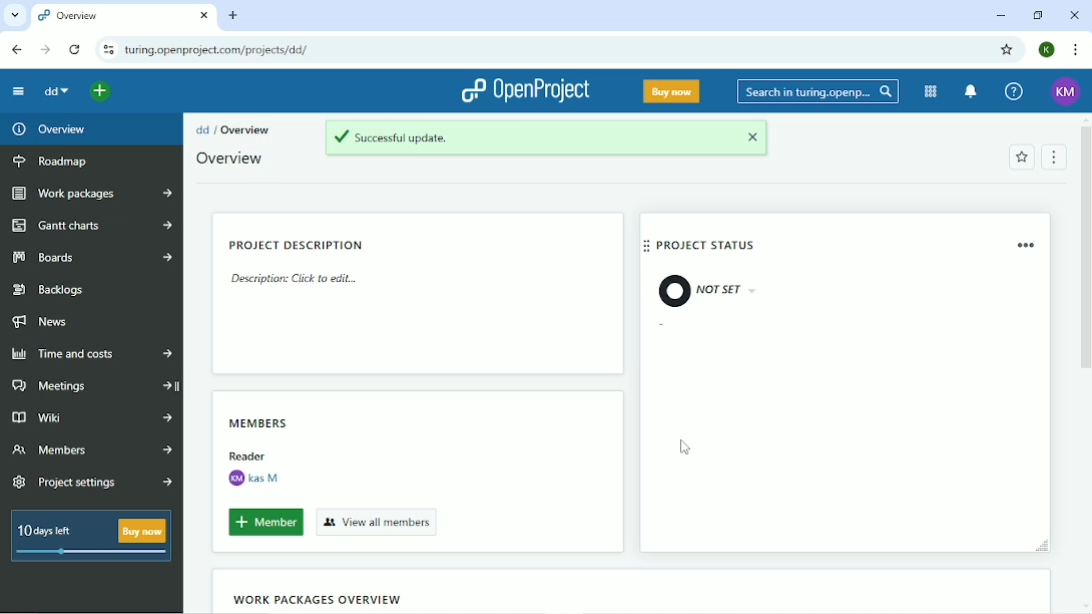 This screenshot has width=1092, height=614. Describe the element at coordinates (522, 92) in the screenshot. I see `OpenProject` at that location.